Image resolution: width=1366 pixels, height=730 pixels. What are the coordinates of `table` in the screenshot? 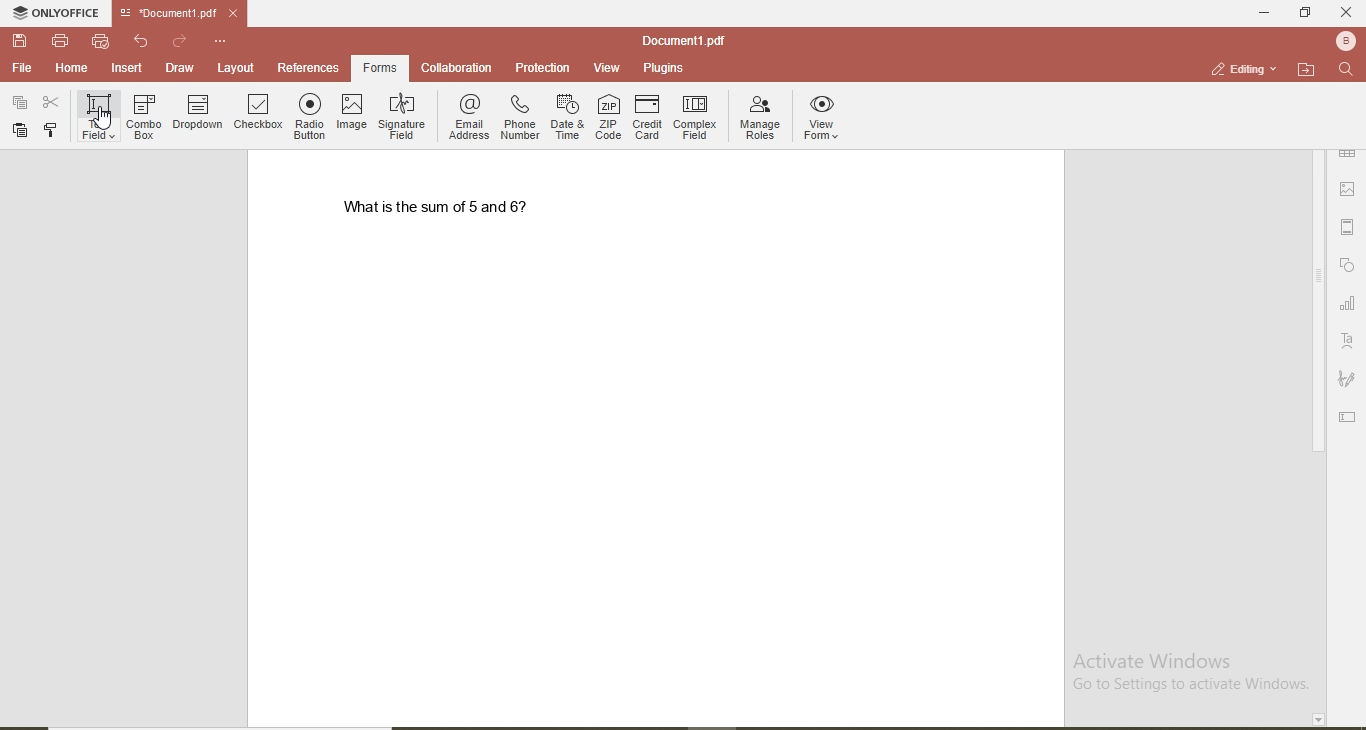 It's located at (1349, 152).